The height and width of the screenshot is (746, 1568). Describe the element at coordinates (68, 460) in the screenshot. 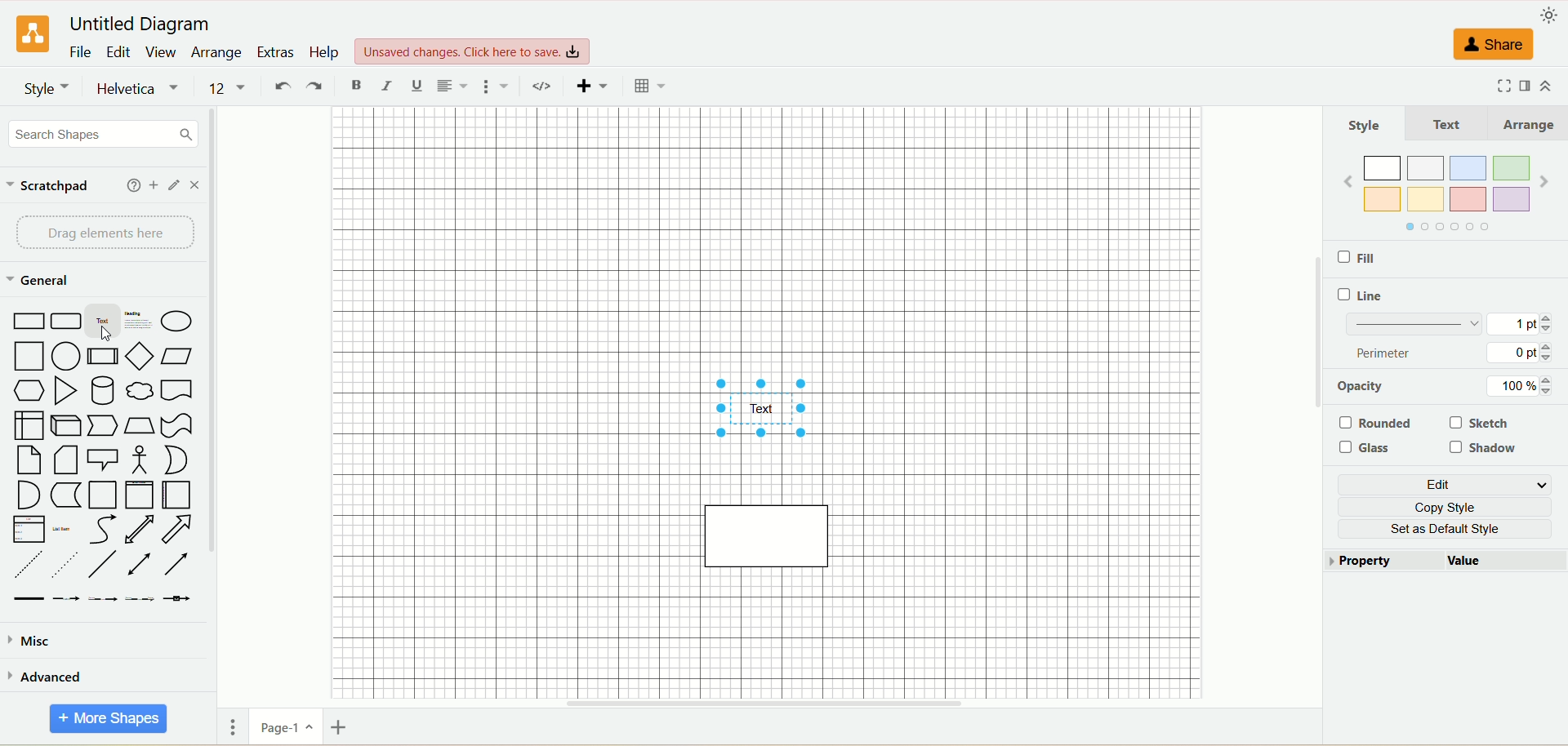

I see `card` at that location.